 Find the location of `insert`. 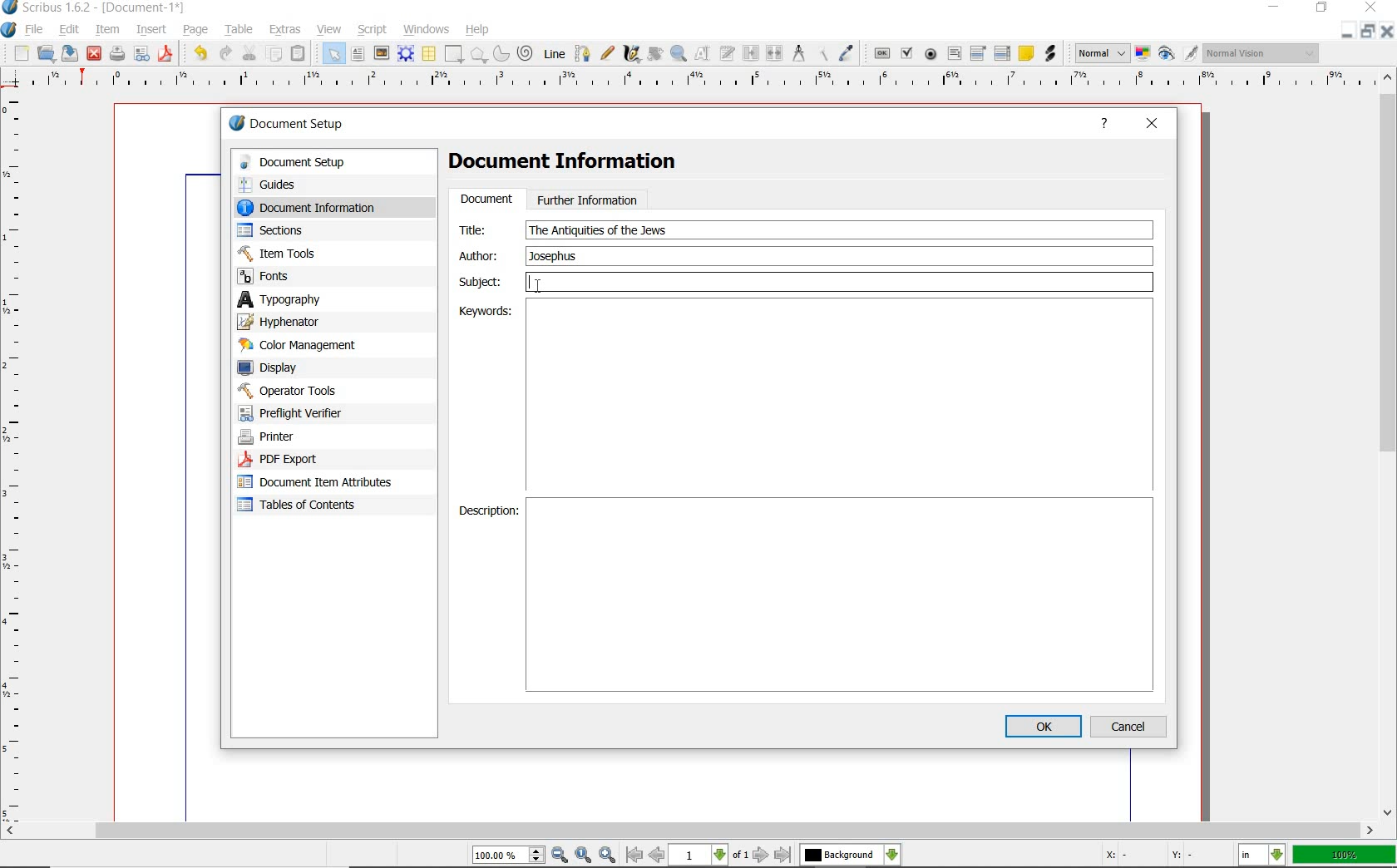

insert is located at coordinates (151, 29).